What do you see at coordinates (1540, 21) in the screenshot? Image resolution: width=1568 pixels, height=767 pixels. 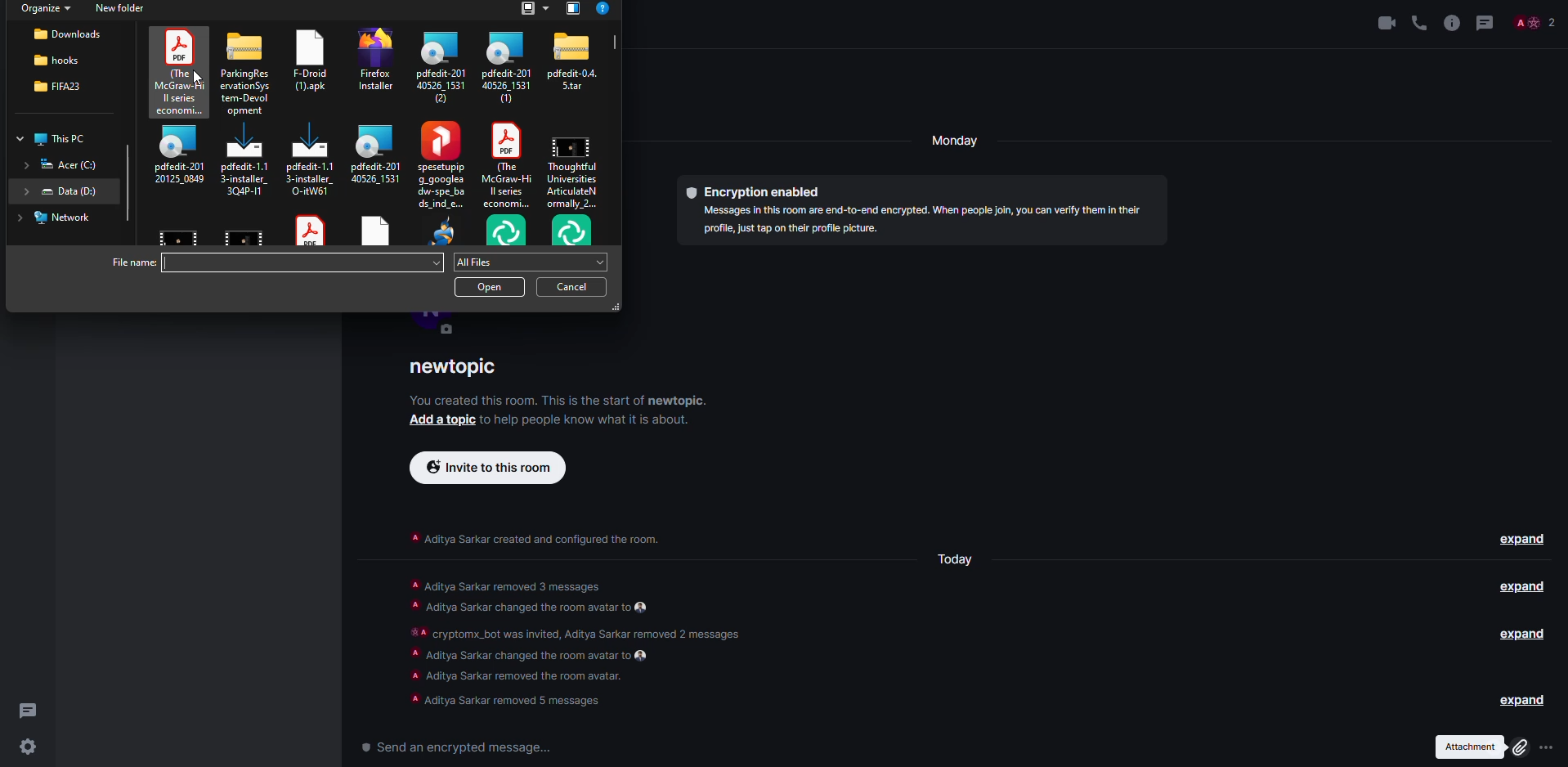 I see `` at bounding box center [1540, 21].